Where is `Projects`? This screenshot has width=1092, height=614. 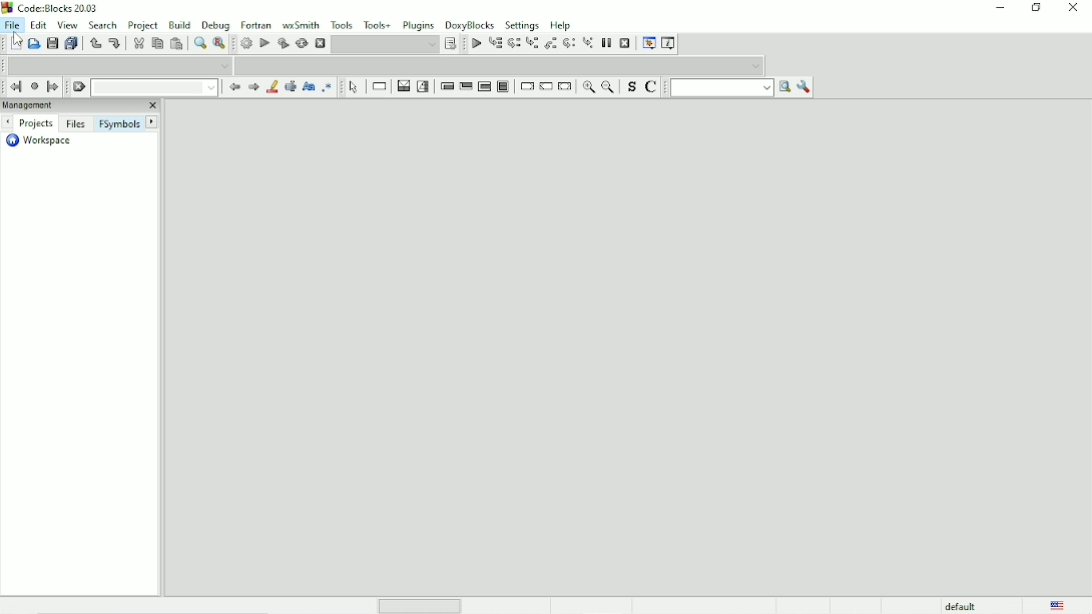
Projects is located at coordinates (37, 123).